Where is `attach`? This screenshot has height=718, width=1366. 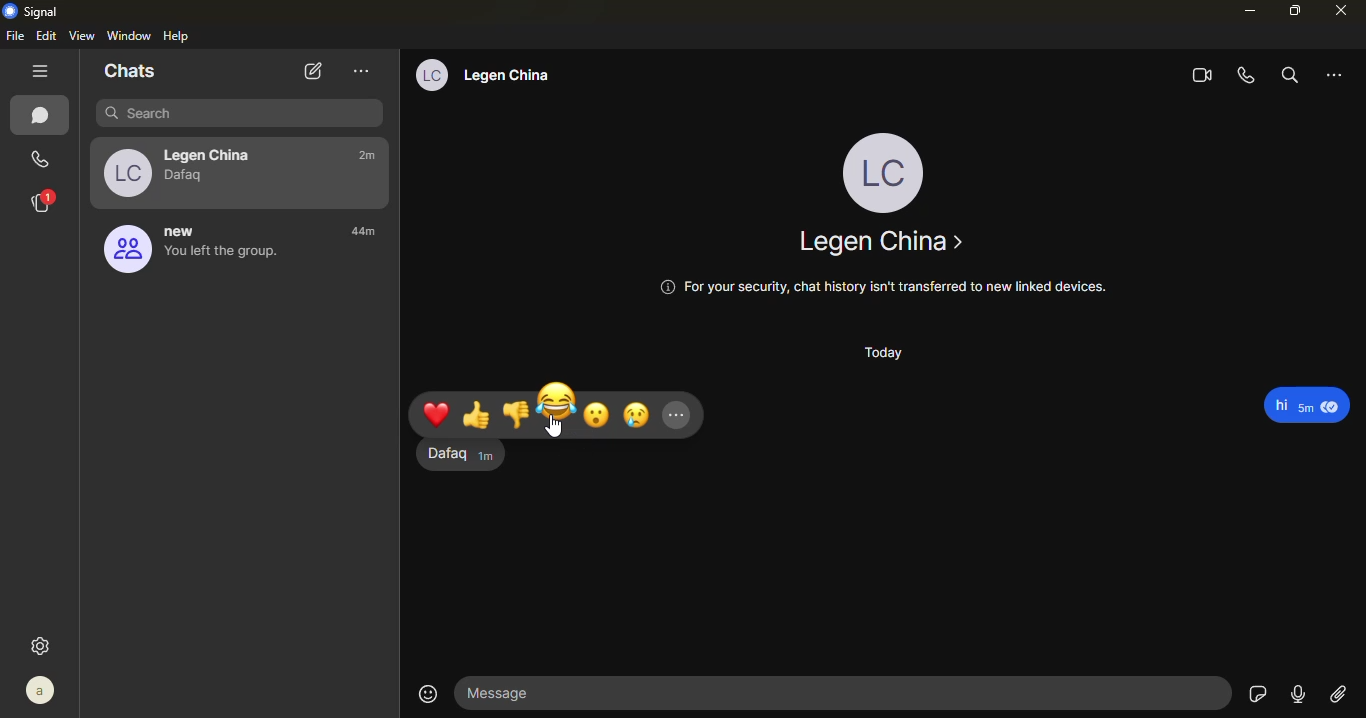 attach is located at coordinates (1339, 695).